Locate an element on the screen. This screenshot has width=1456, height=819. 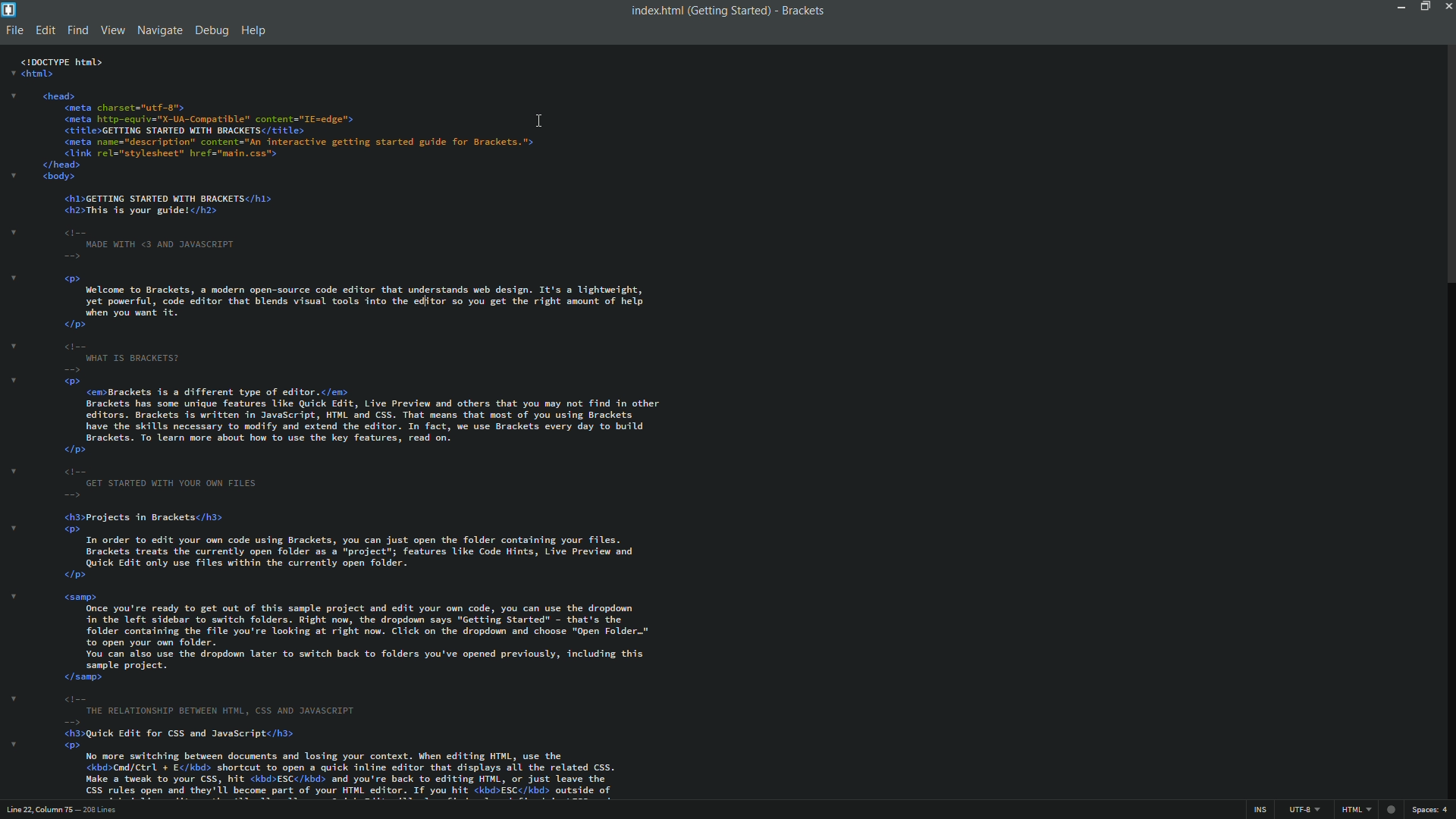
dropdown is located at coordinates (14, 175).